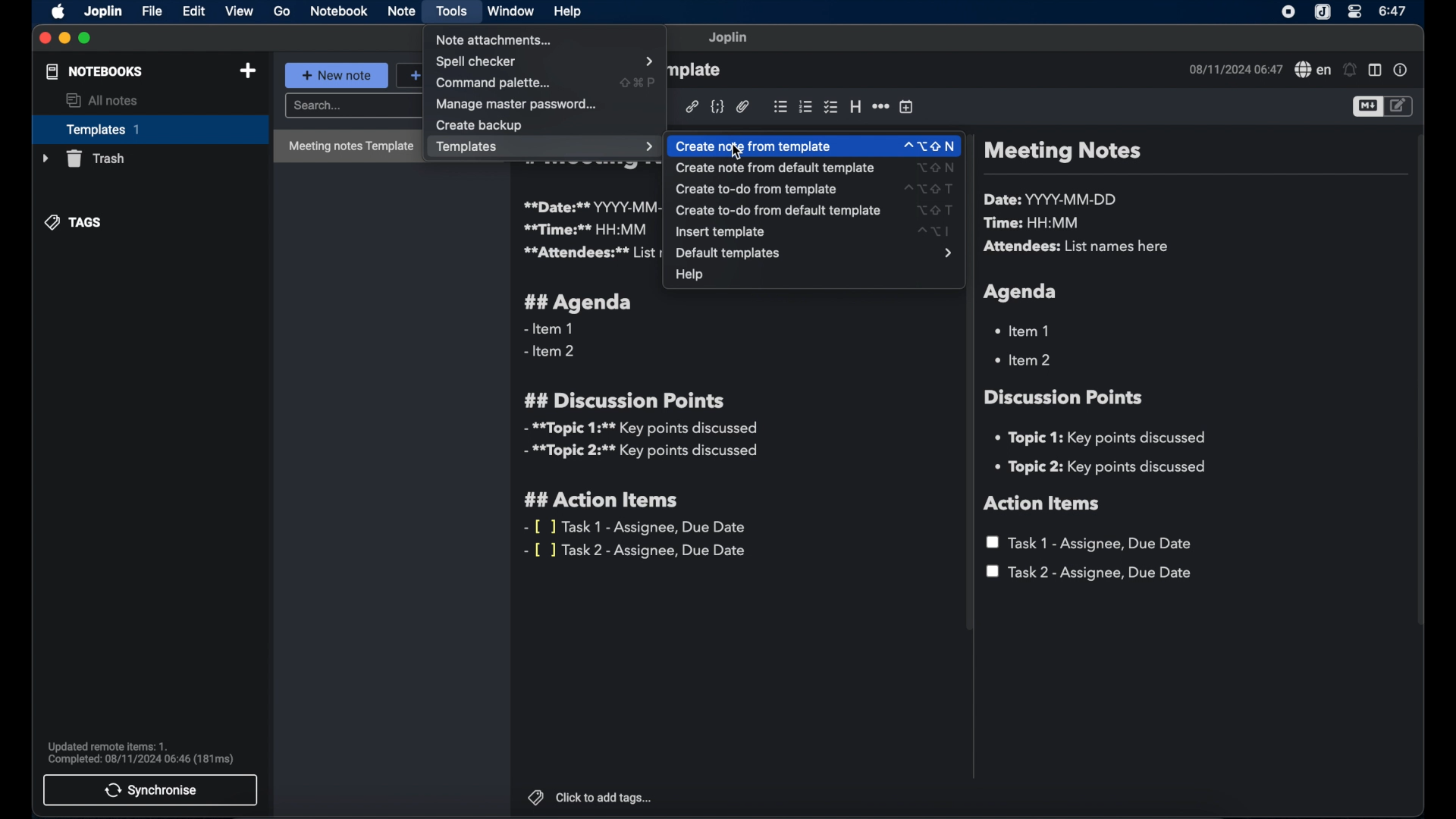 Image resolution: width=1456 pixels, height=819 pixels. What do you see at coordinates (338, 12) in the screenshot?
I see `notebook` at bounding box center [338, 12].